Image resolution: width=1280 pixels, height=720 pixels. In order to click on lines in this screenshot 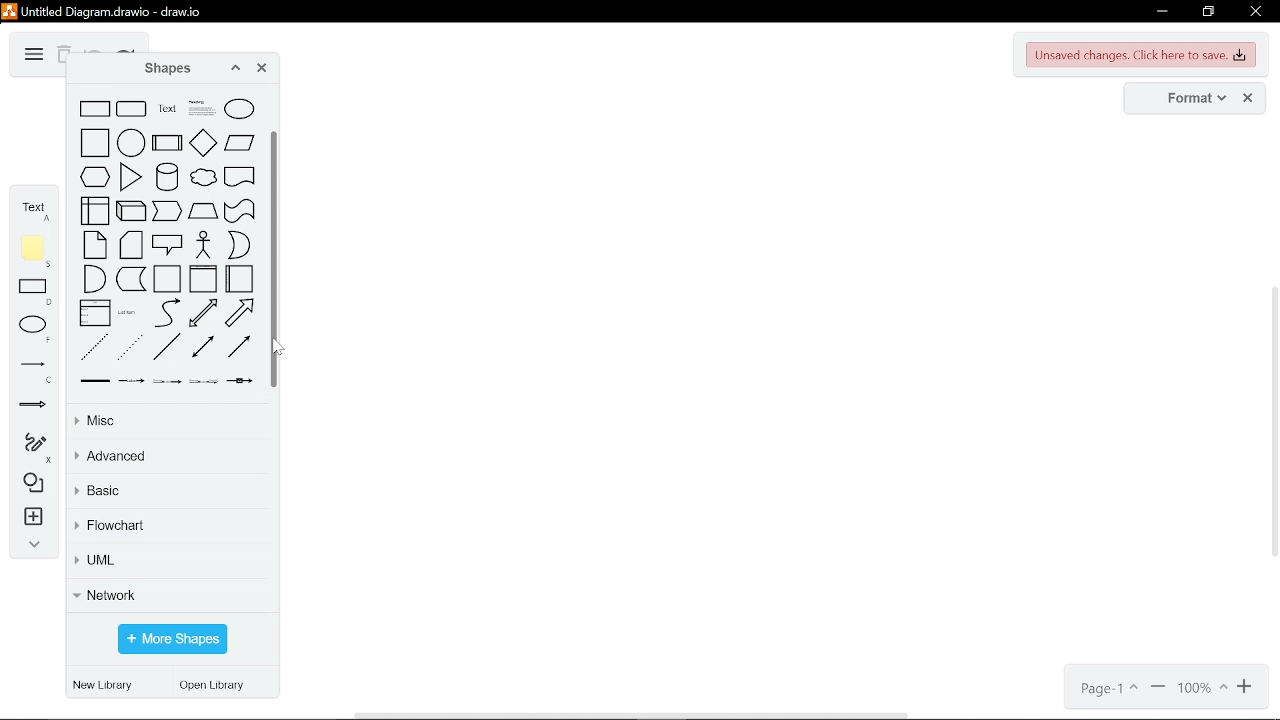, I will do `click(33, 371)`.